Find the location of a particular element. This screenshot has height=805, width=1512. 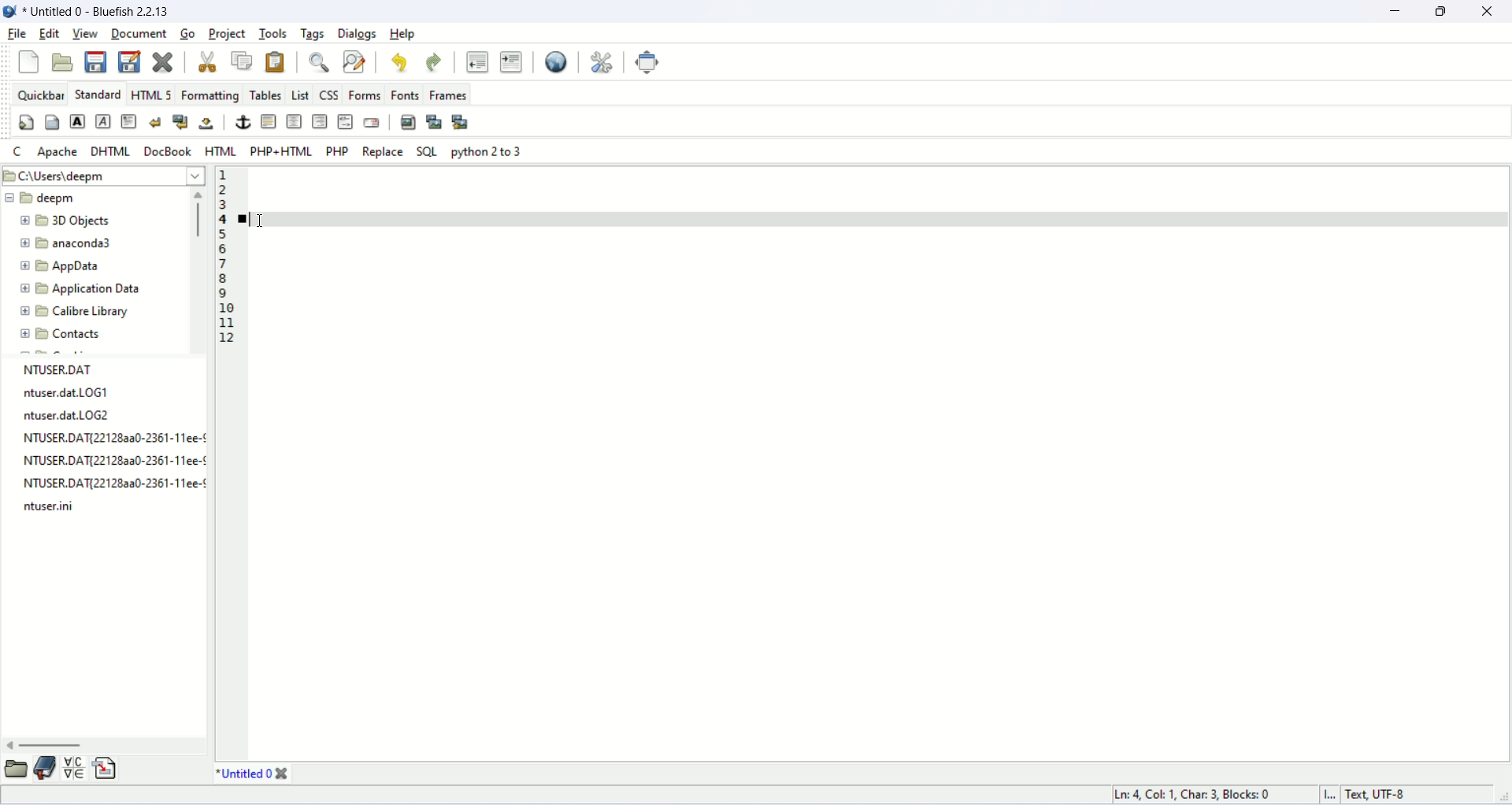

calibre library is located at coordinates (74, 311).